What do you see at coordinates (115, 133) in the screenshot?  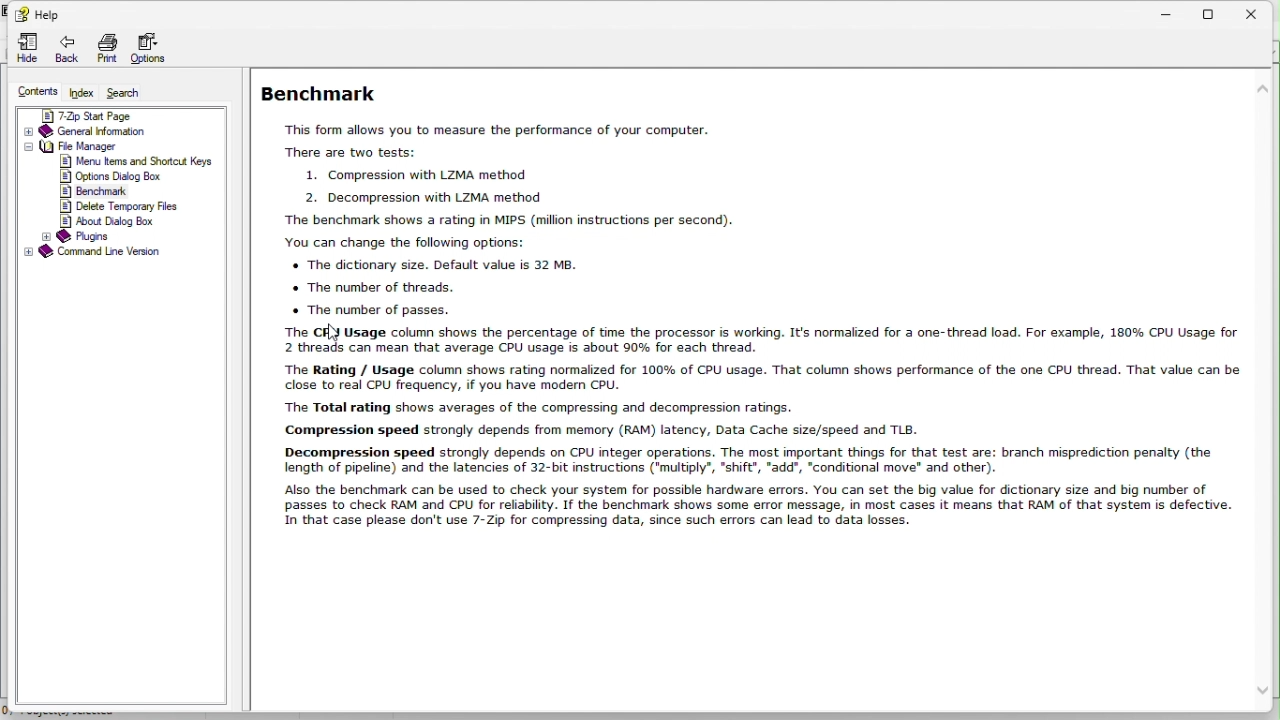 I see `General information` at bounding box center [115, 133].